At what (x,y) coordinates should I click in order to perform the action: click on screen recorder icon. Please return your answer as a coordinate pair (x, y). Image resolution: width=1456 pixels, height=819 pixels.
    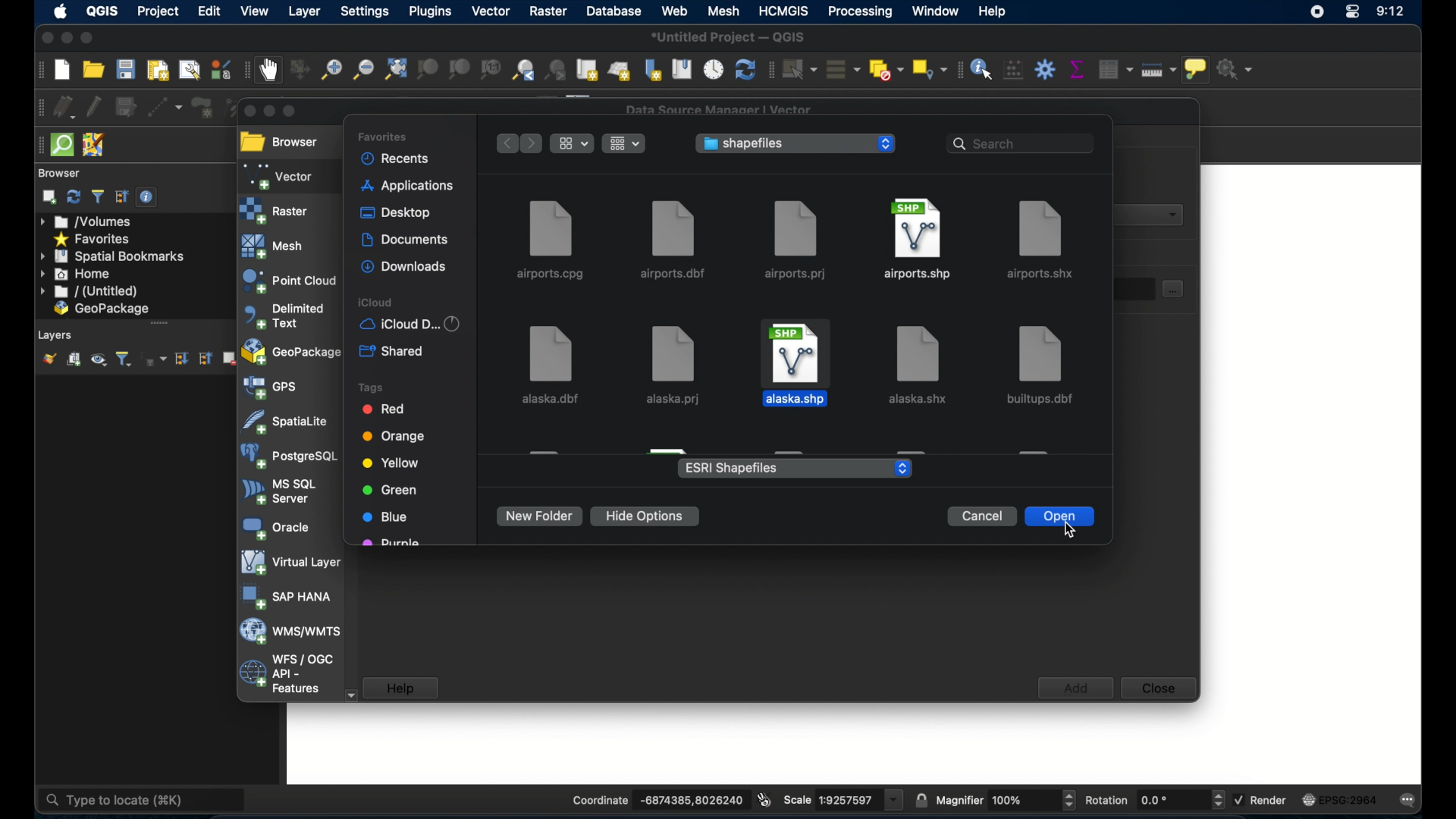
    Looking at the image, I should click on (1317, 11).